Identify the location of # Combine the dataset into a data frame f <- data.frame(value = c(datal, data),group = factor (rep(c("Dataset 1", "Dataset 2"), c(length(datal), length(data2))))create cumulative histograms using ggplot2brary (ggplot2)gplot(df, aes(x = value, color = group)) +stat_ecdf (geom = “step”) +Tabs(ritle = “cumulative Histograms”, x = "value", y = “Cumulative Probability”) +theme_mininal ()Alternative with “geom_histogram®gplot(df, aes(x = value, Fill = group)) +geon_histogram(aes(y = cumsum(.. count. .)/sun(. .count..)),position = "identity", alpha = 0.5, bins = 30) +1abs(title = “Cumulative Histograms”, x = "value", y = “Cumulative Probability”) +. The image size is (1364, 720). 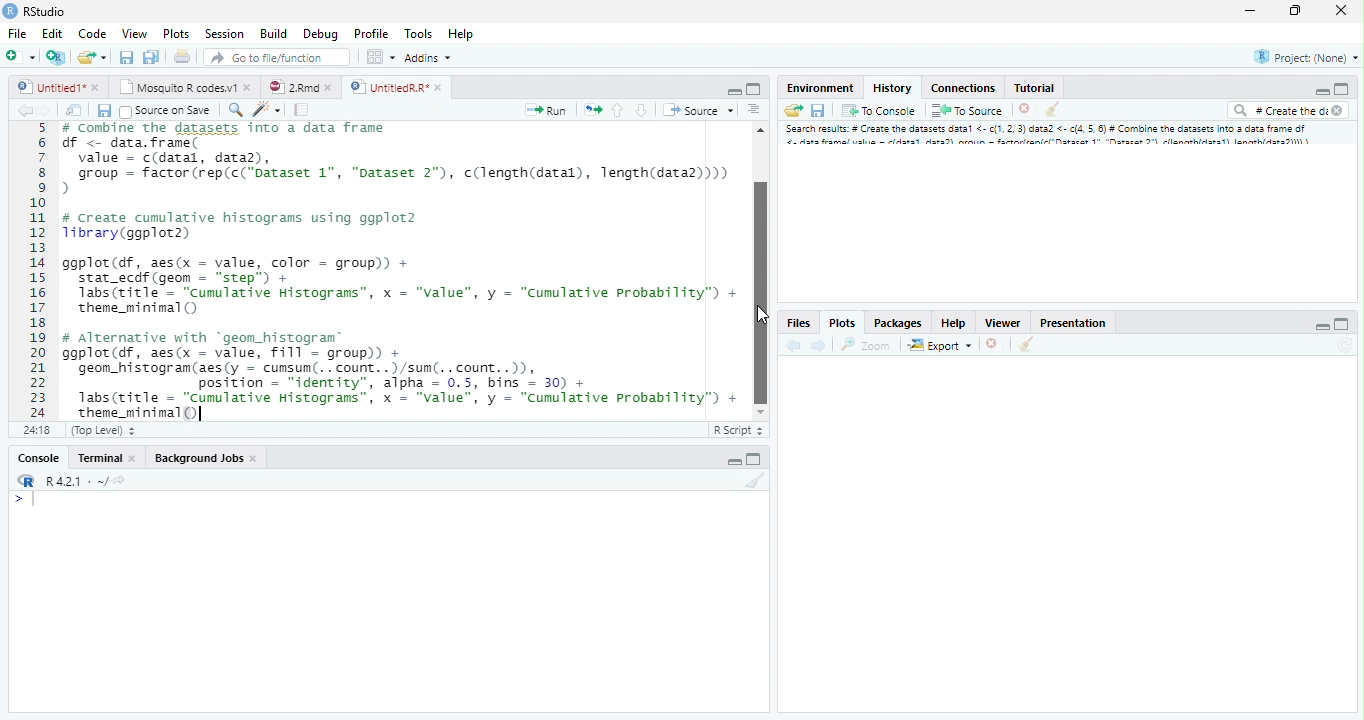
(402, 271).